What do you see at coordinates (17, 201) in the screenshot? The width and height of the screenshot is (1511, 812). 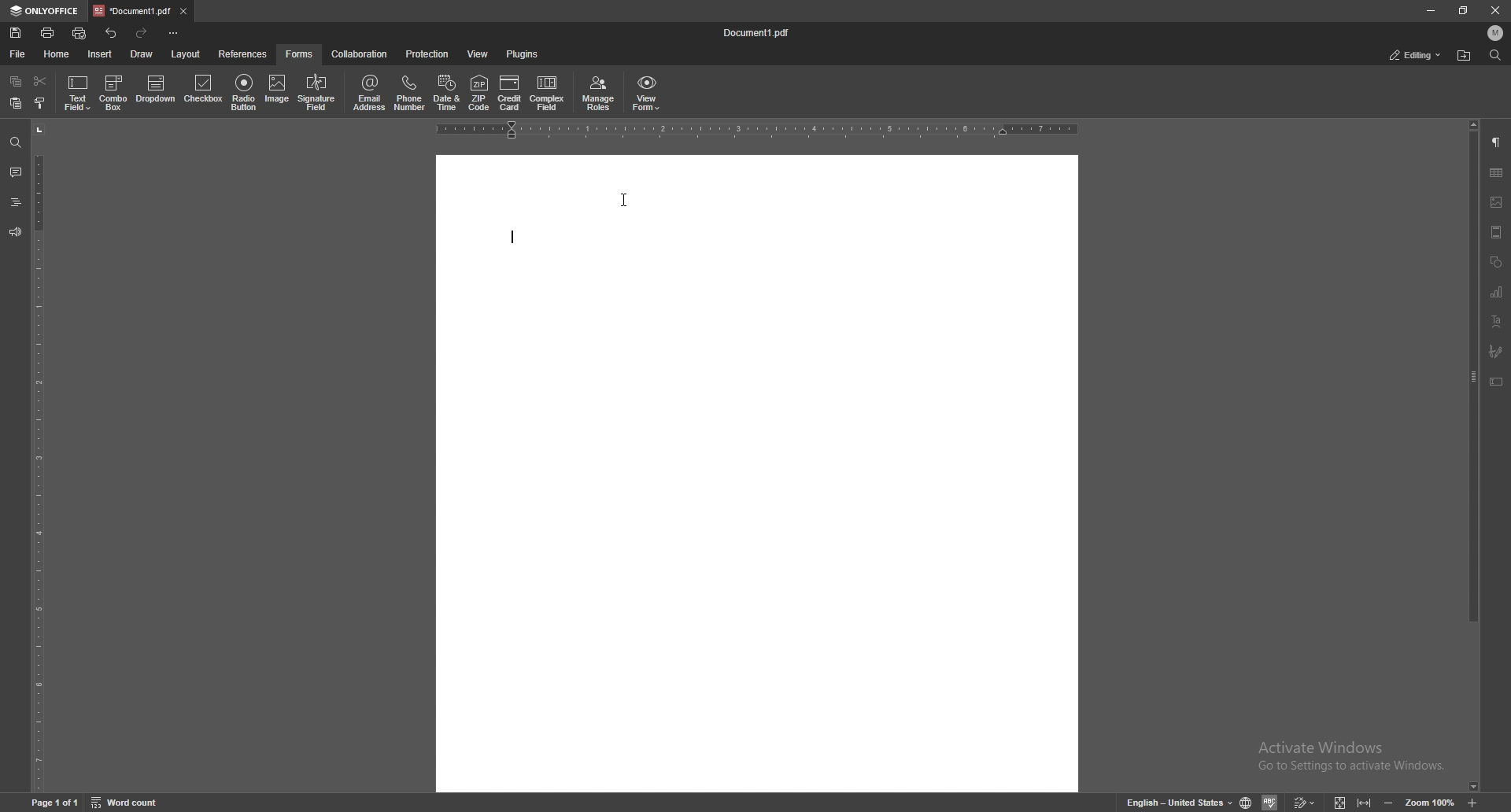 I see `headings` at bounding box center [17, 201].